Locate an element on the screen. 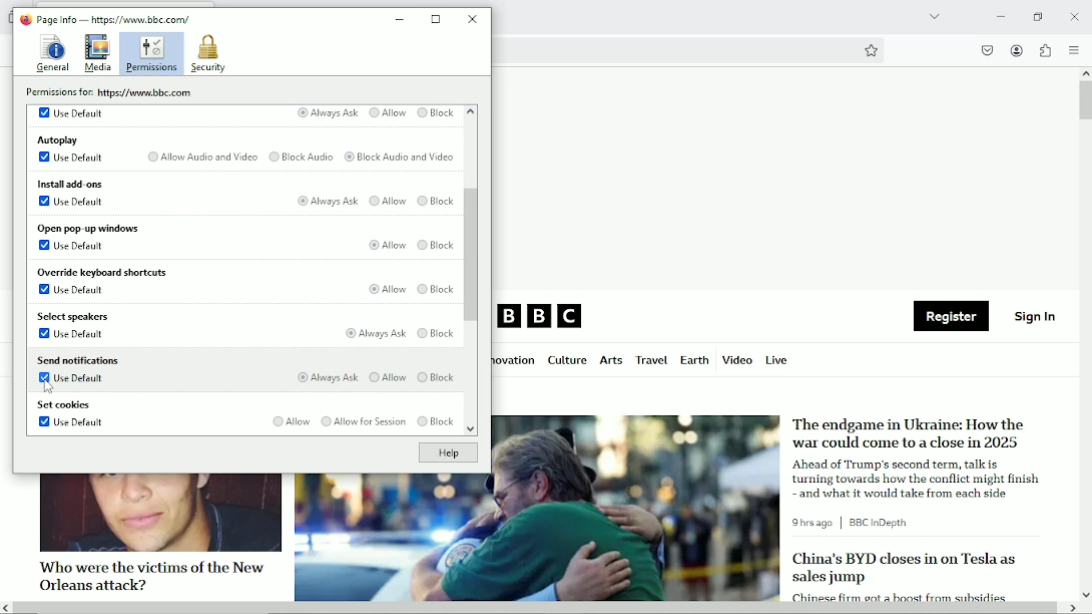  save to pocket is located at coordinates (986, 50).